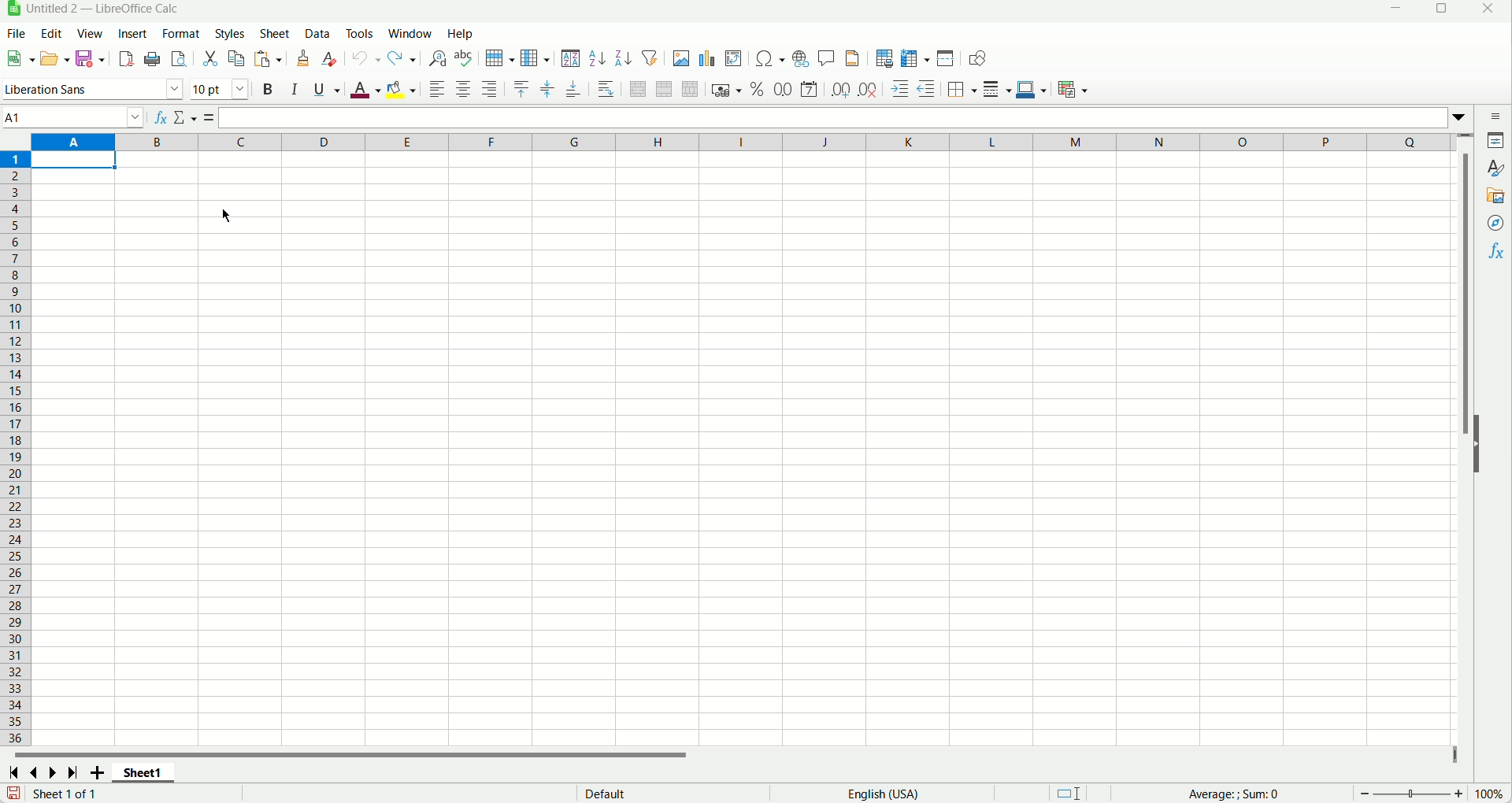 Image resolution: width=1512 pixels, height=803 pixels. I want to click on Save changes, so click(11, 792).